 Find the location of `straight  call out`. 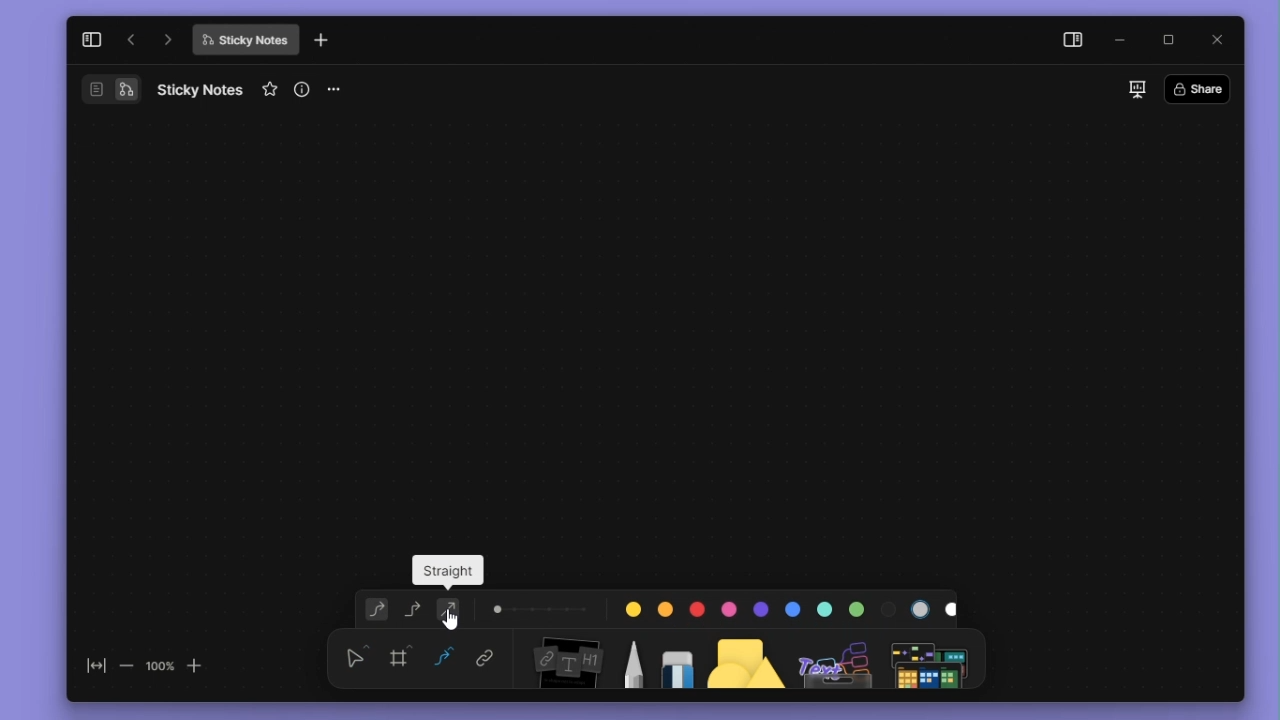

straight  call out is located at coordinates (446, 572).